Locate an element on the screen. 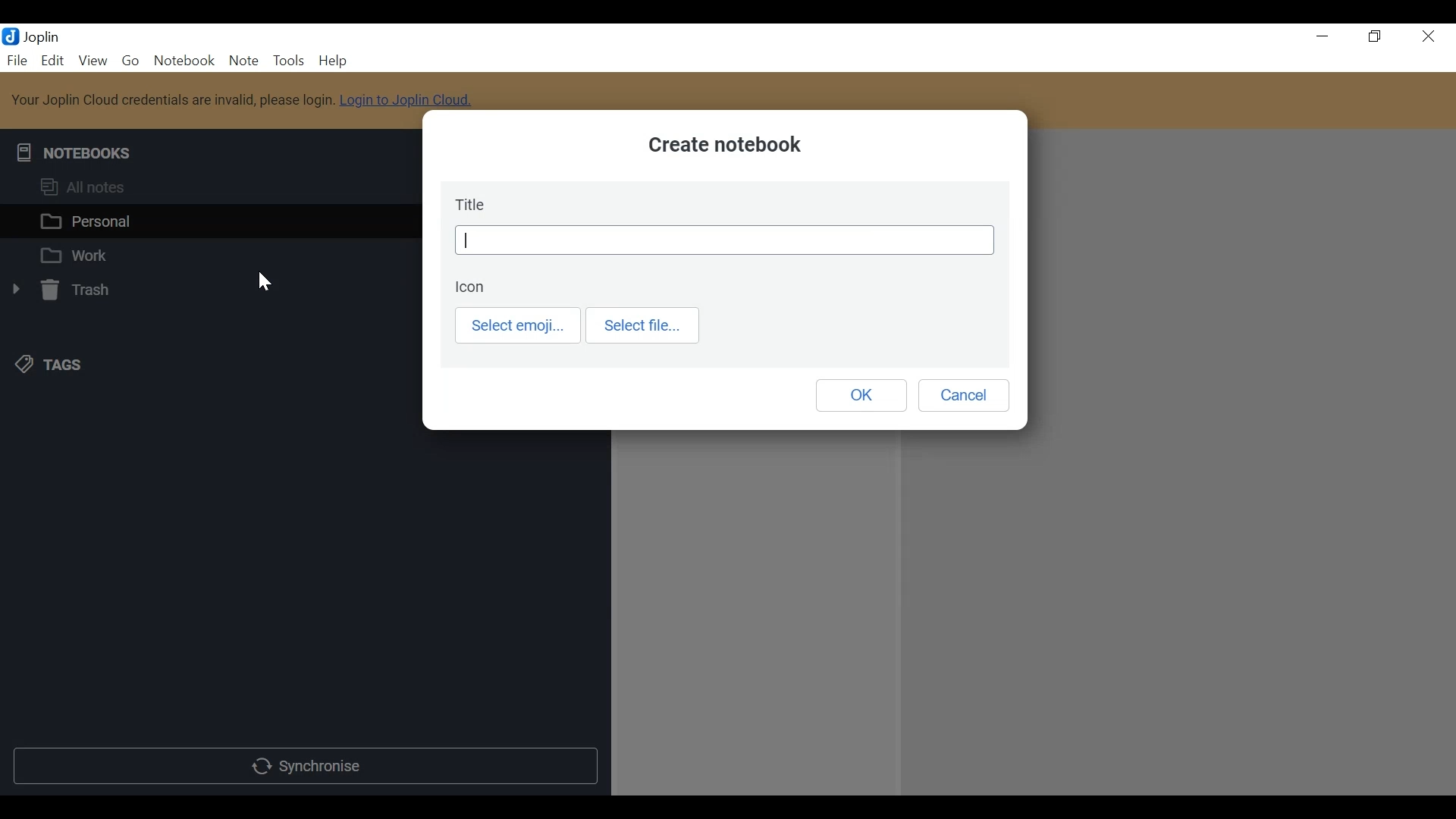  Restore is located at coordinates (1375, 36).